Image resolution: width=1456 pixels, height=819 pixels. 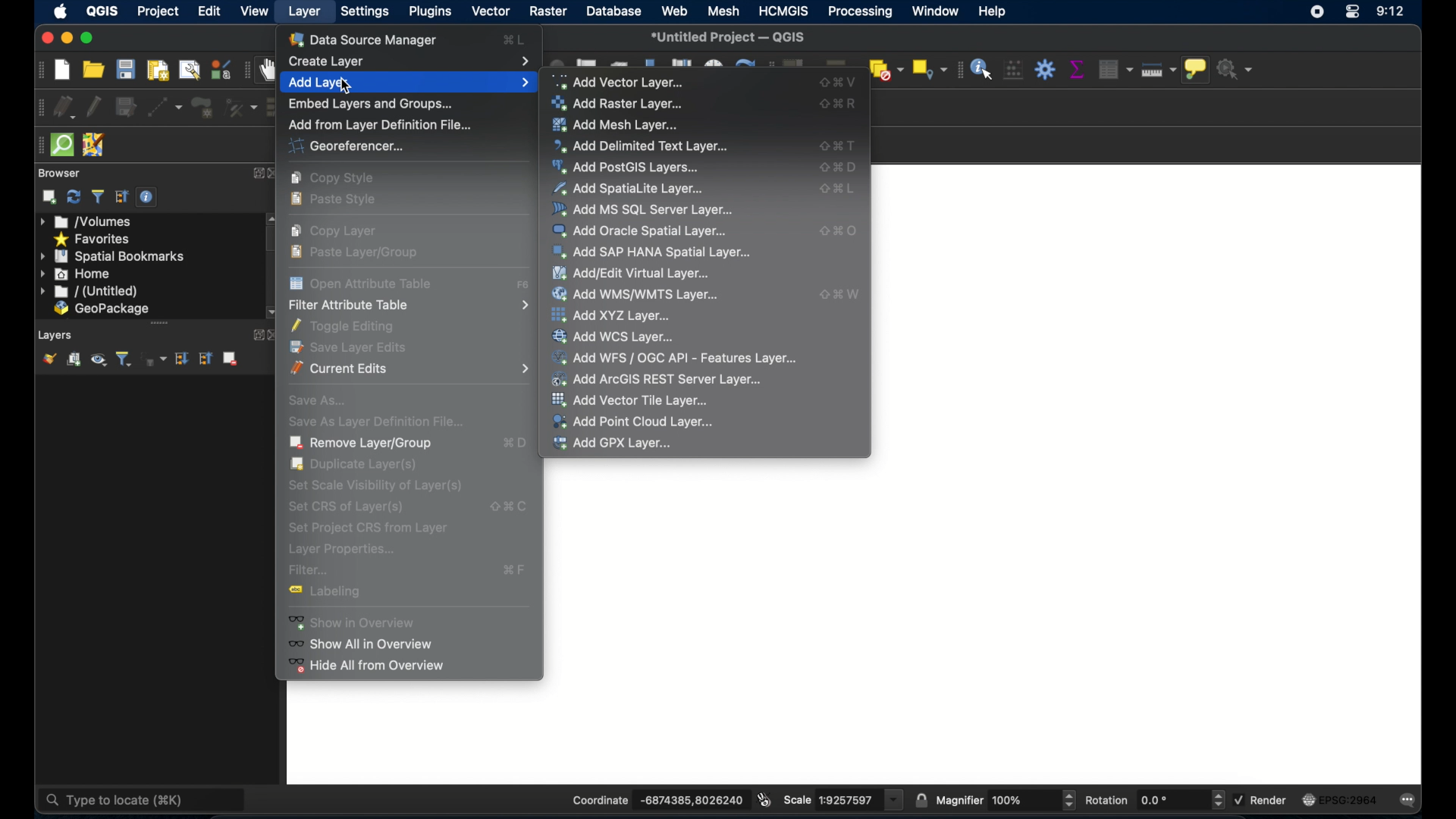 I want to click on collapse all, so click(x=206, y=360).